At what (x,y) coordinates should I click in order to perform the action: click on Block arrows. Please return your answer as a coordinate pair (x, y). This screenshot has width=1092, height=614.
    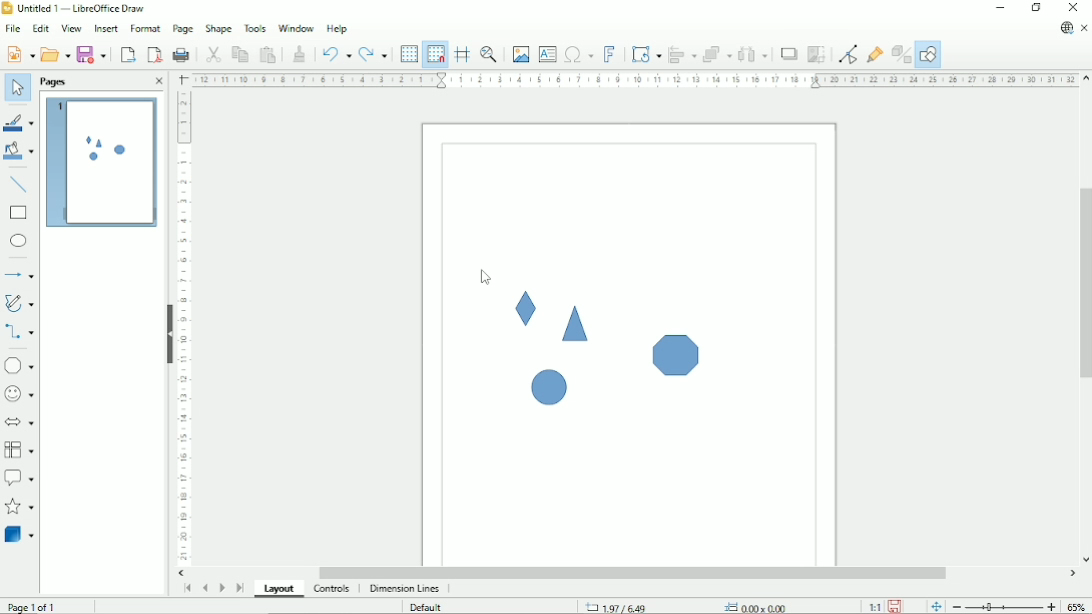
    Looking at the image, I should click on (21, 423).